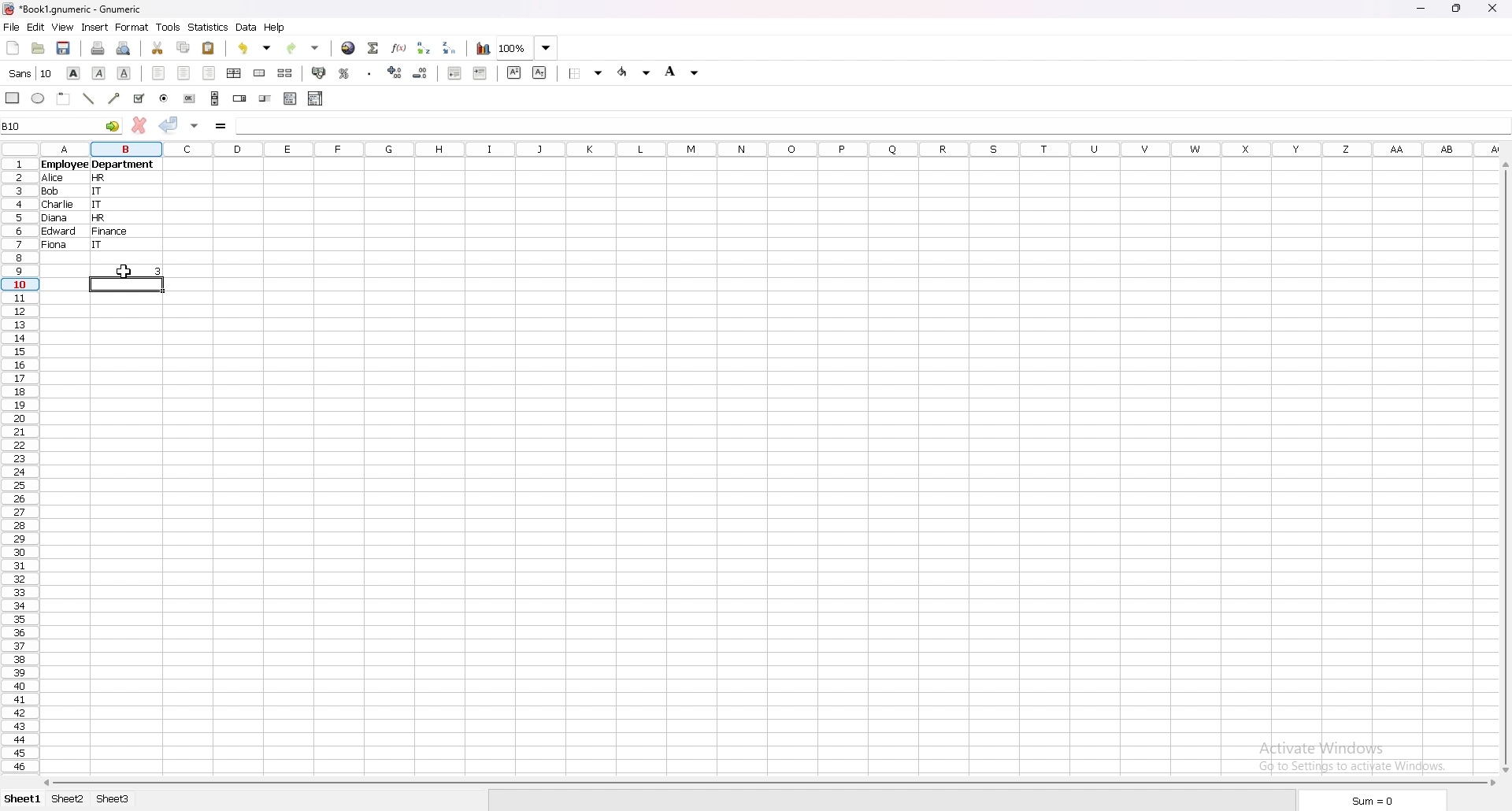 The height and width of the screenshot is (811, 1512). What do you see at coordinates (514, 72) in the screenshot?
I see `superscript` at bounding box center [514, 72].